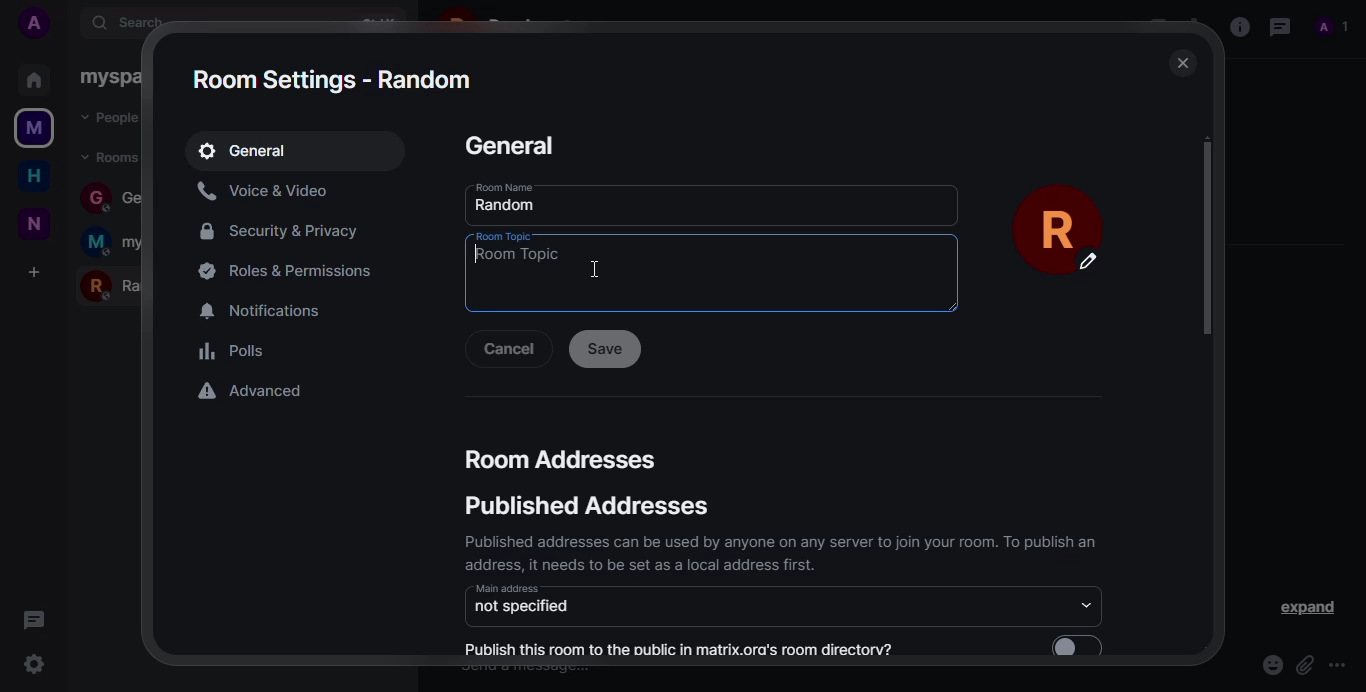  What do you see at coordinates (259, 312) in the screenshot?
I see `notifications` at bounding box center [259, 312].